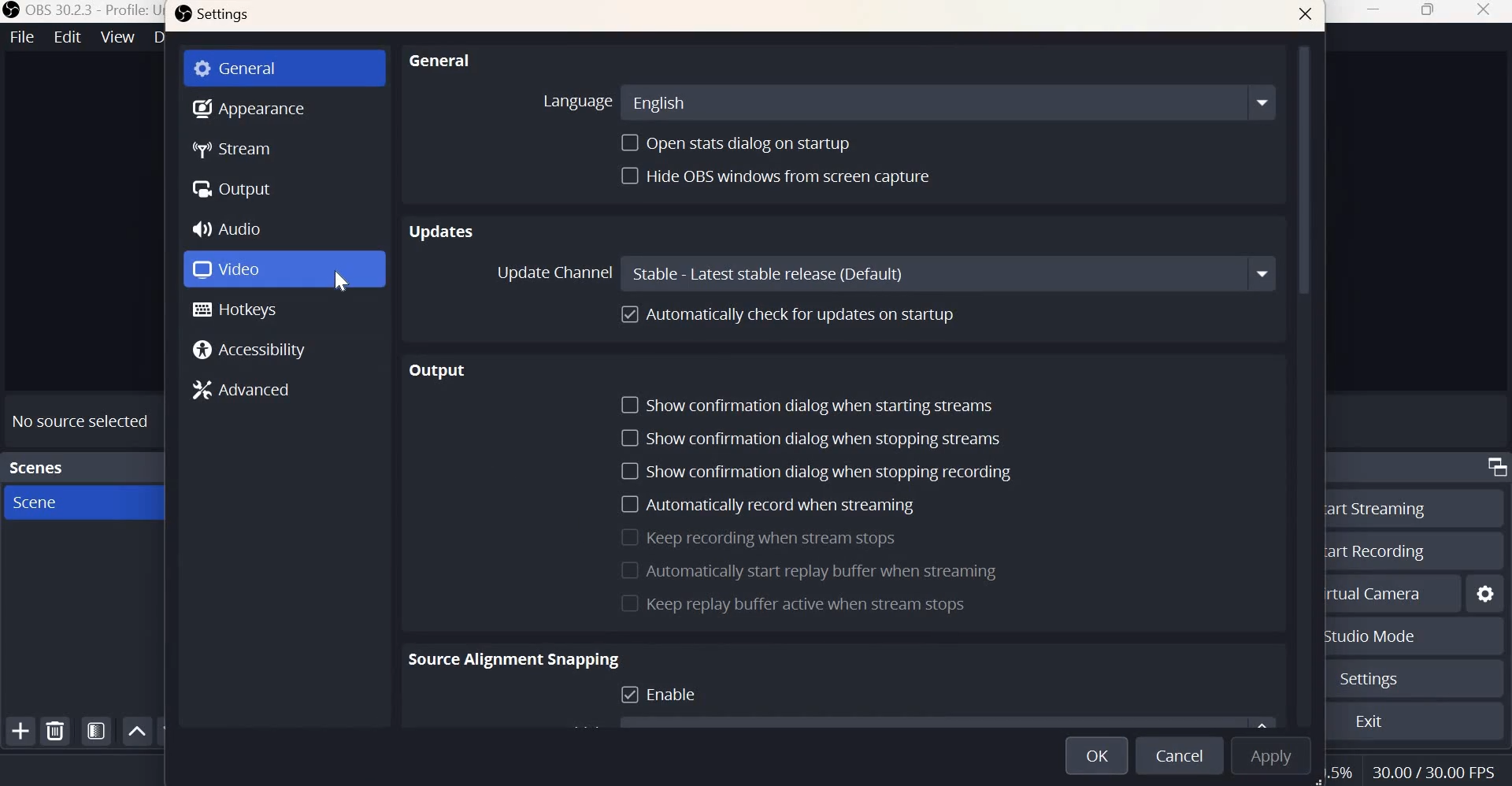 This screenshot has width=1512, height=786. What do you see at coordinates (231, 267) in the screenshot?
I see `Video` at bounding box center [231, 267].